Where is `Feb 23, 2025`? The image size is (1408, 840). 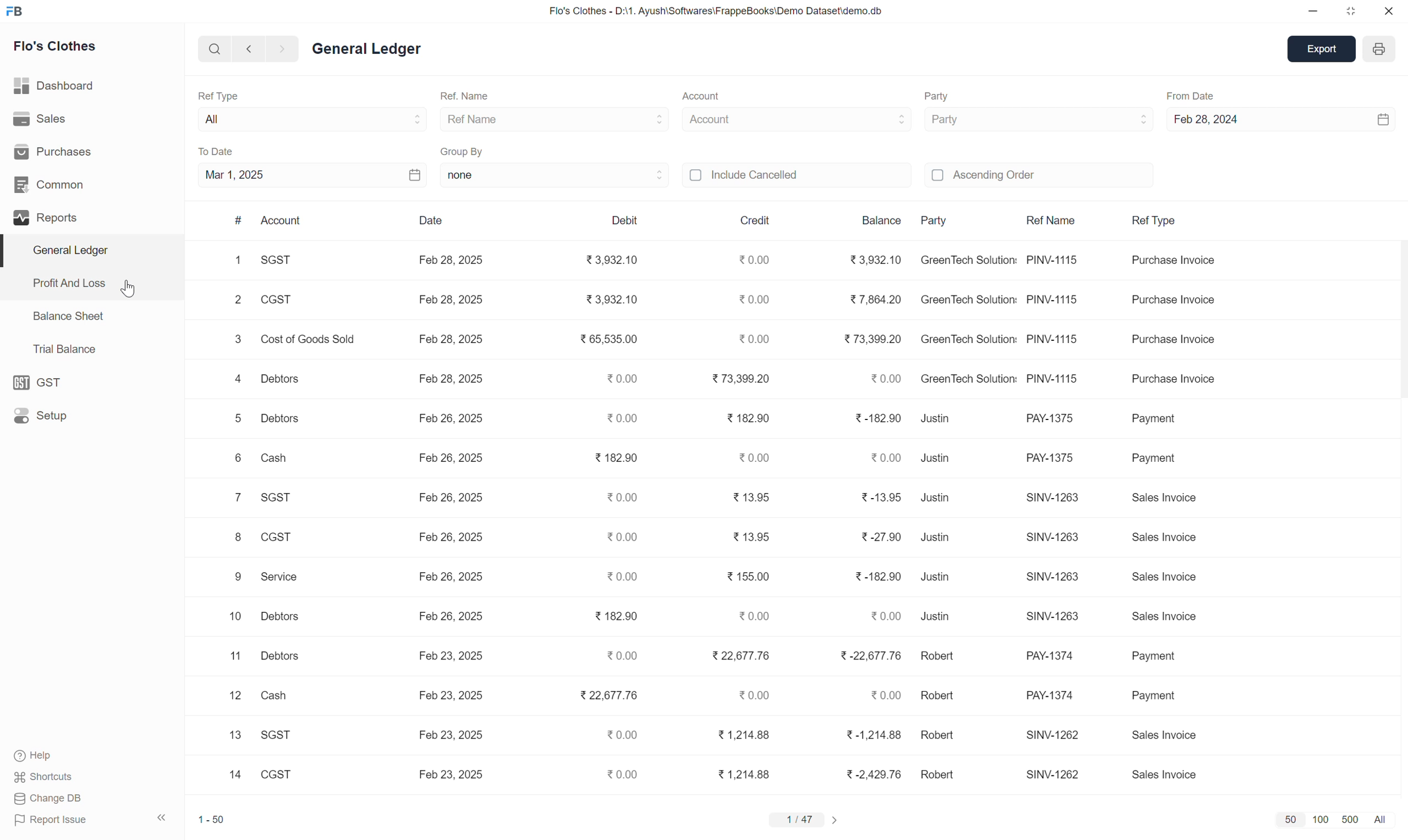
Feb 23, 2025 is located at coordinates (453, 732).